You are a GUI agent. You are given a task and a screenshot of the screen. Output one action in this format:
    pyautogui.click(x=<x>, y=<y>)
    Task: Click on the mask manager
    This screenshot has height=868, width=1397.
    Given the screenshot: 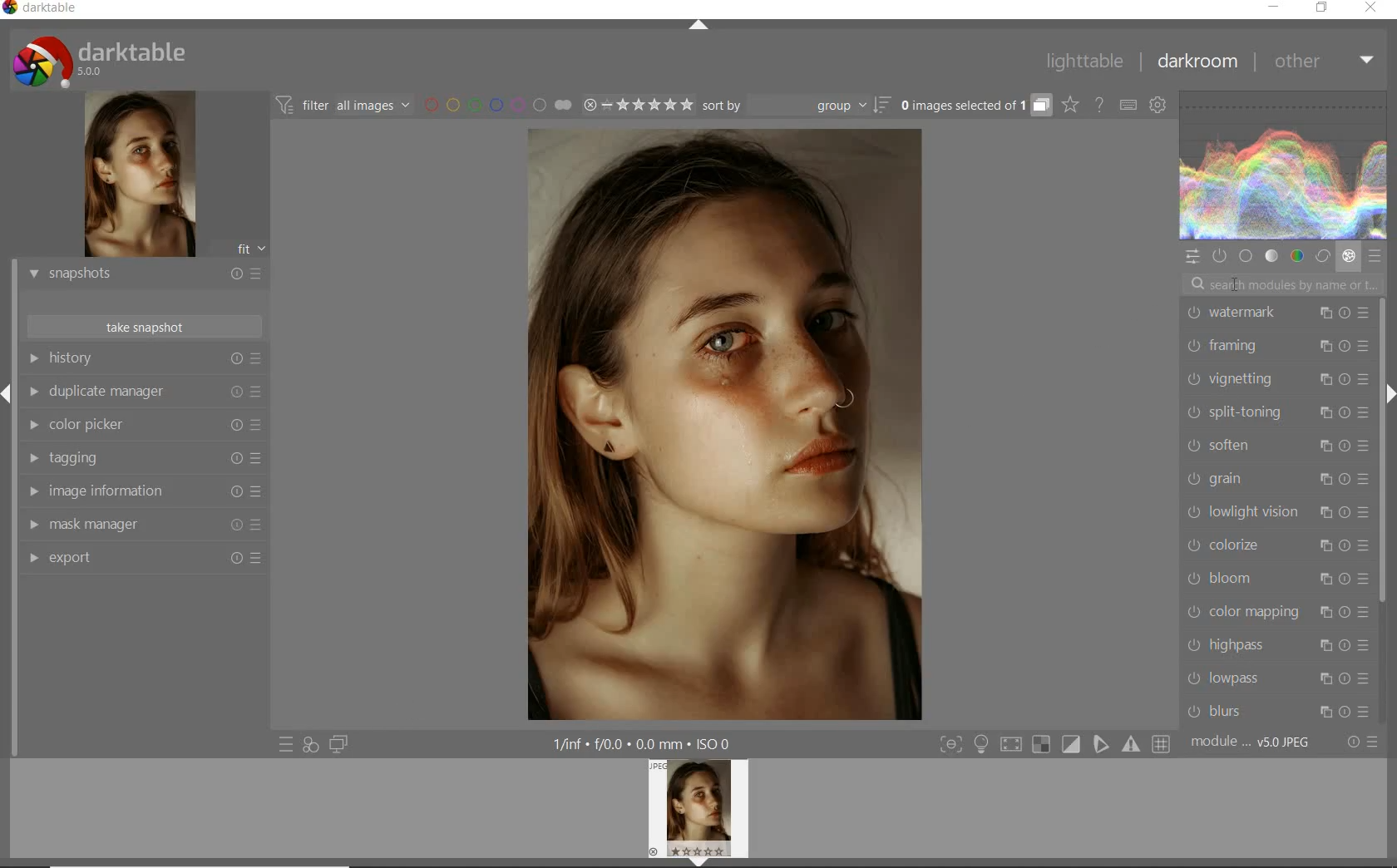 What is the action you would take?
    pyautogui.click(x=144, y=525)
    